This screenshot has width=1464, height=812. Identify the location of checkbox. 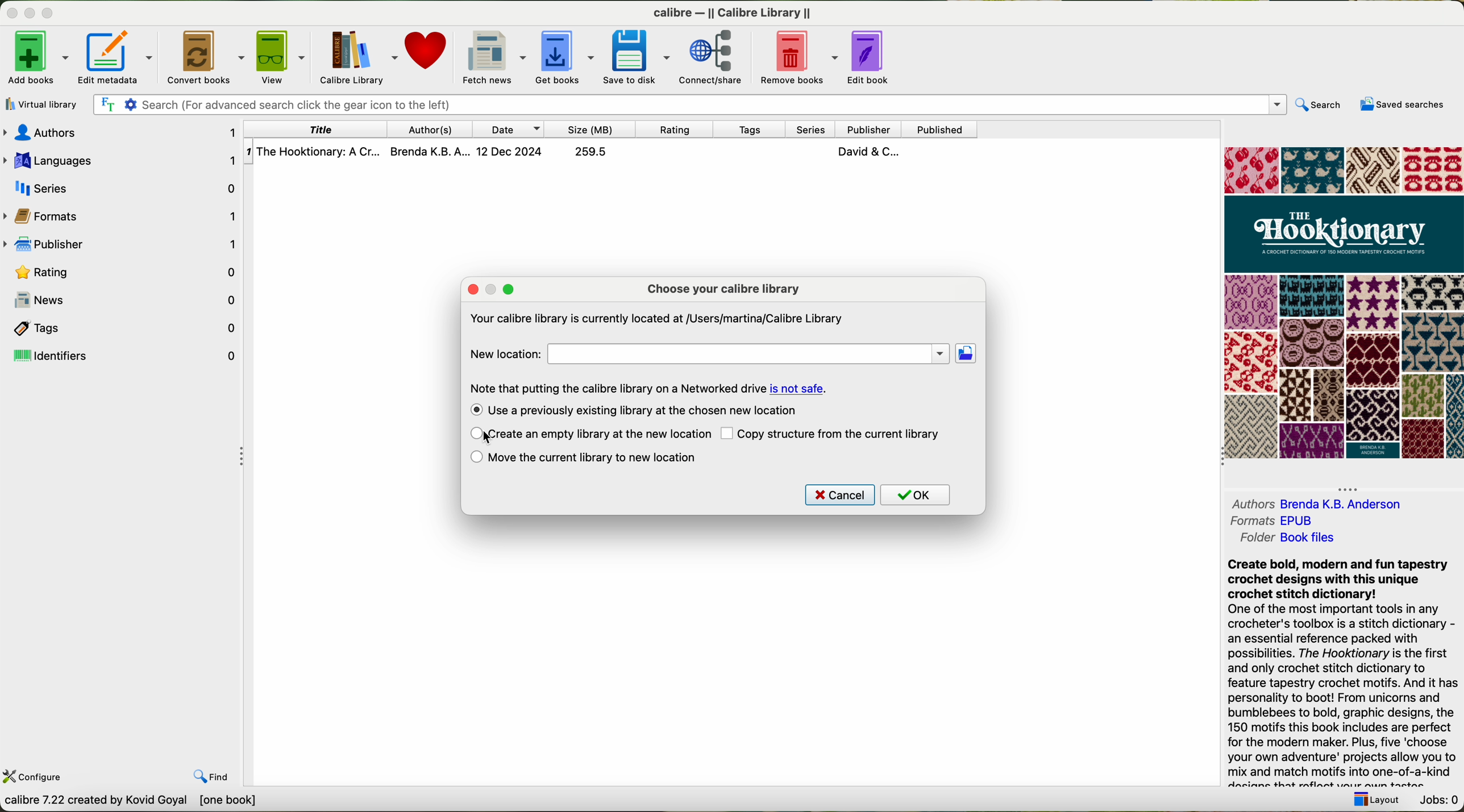
(476, 434).